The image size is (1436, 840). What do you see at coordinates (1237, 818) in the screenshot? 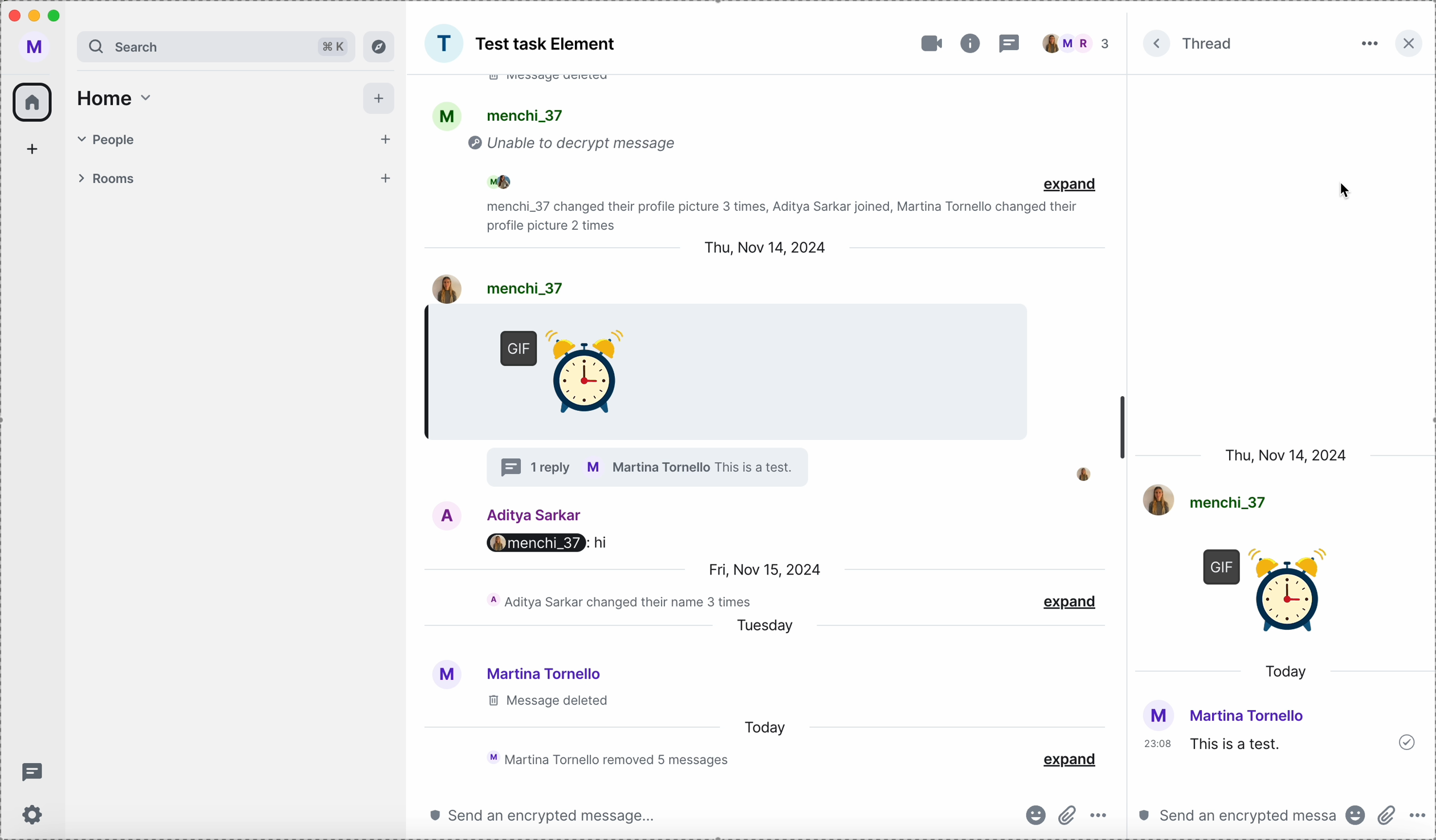
I see `send a message` at bounding box center [1237, 818].